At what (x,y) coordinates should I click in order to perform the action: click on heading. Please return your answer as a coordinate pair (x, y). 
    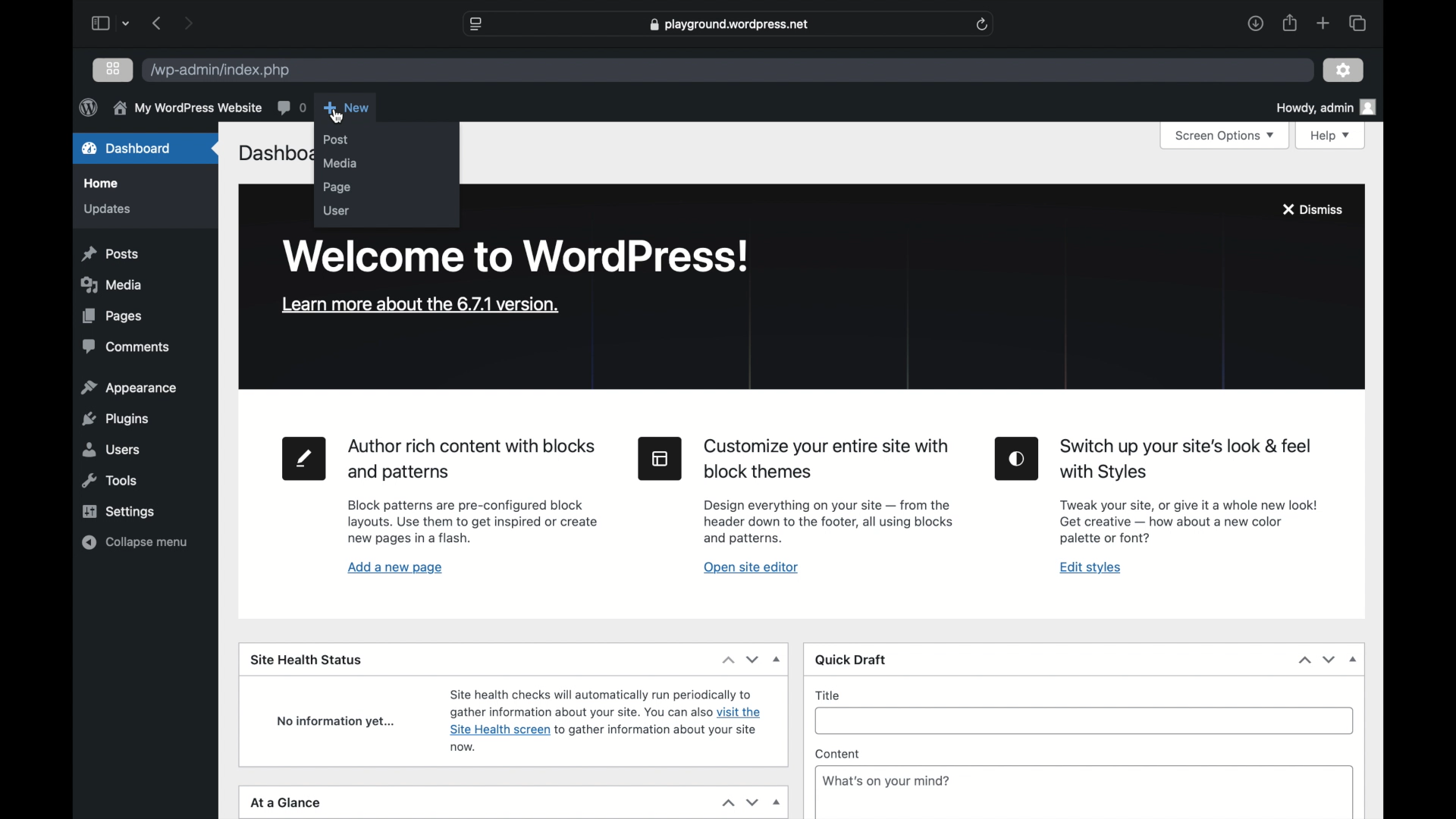
    Looking at the image, I should click on (1187, 460).